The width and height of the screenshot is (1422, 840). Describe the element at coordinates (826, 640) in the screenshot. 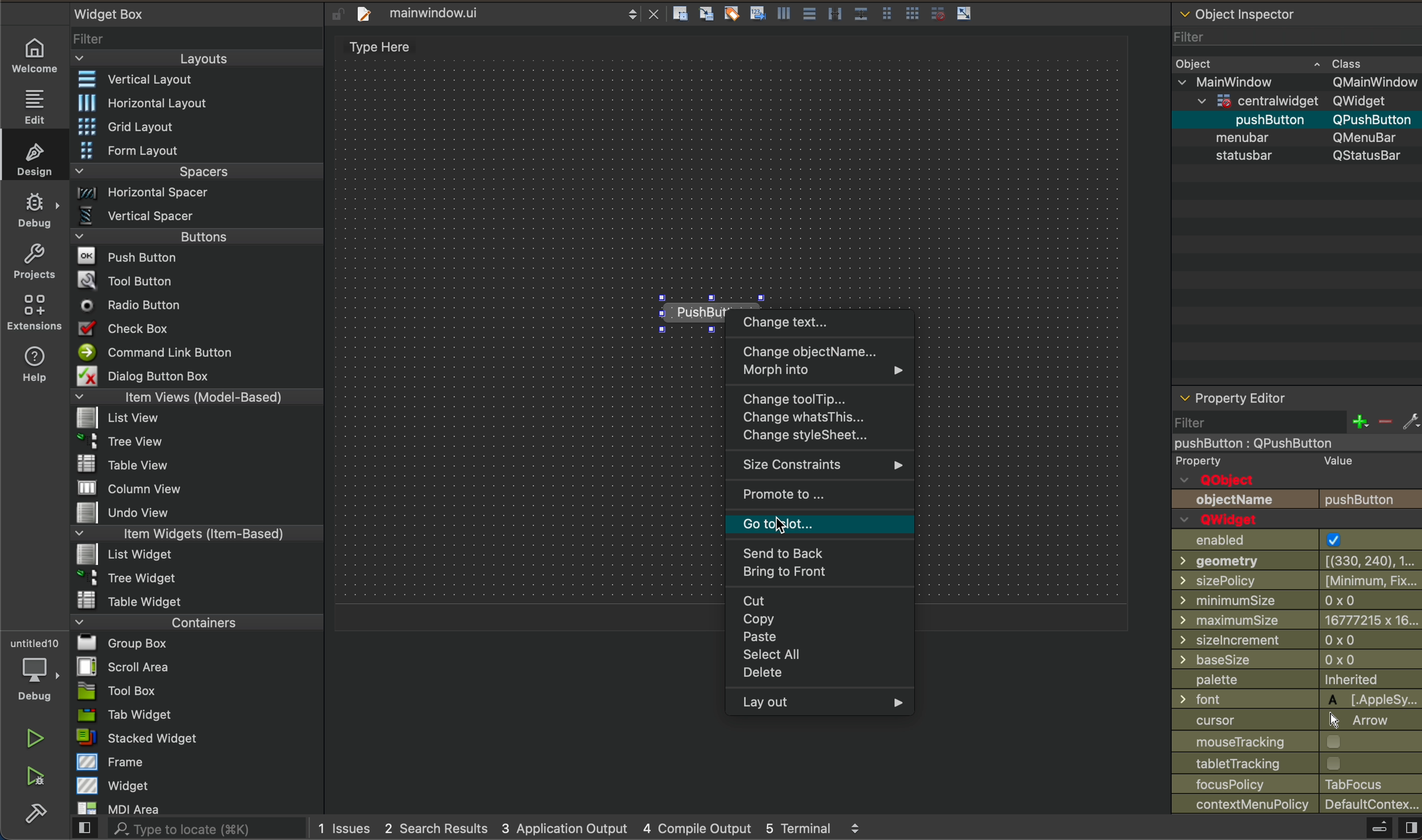

I see `paste` at that location.